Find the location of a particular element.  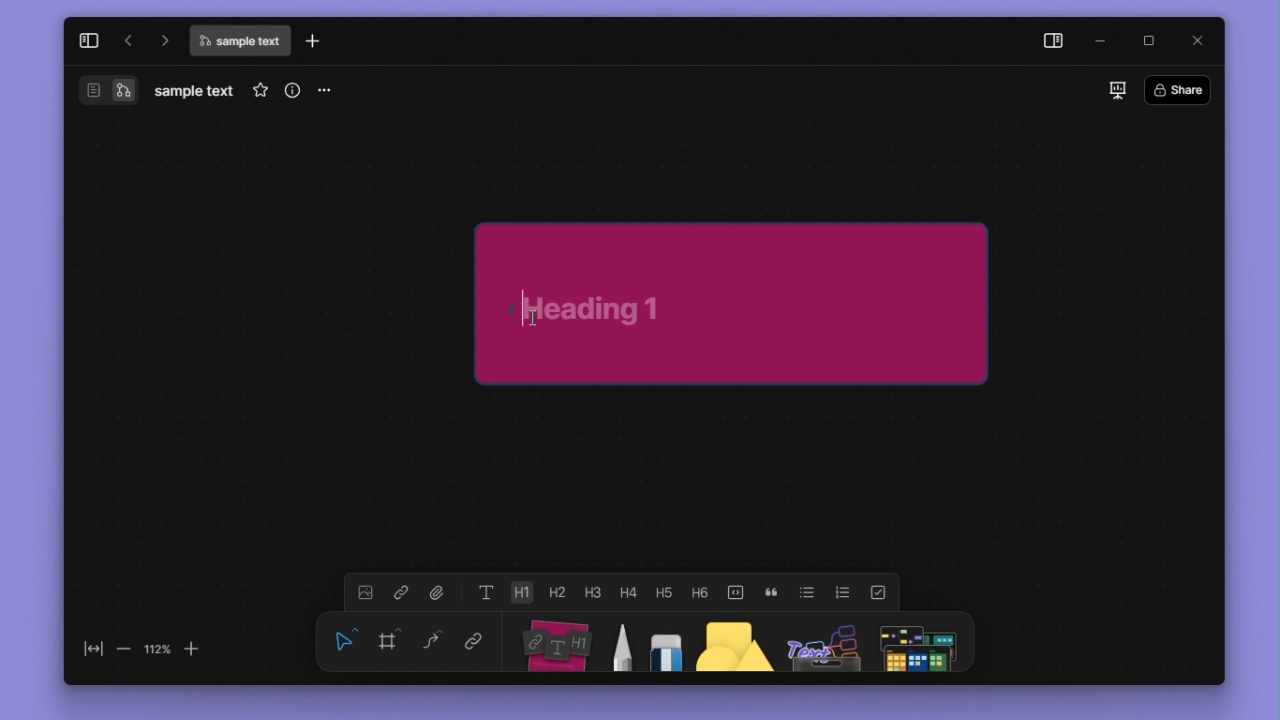

note is located at coordinates (559, 642).